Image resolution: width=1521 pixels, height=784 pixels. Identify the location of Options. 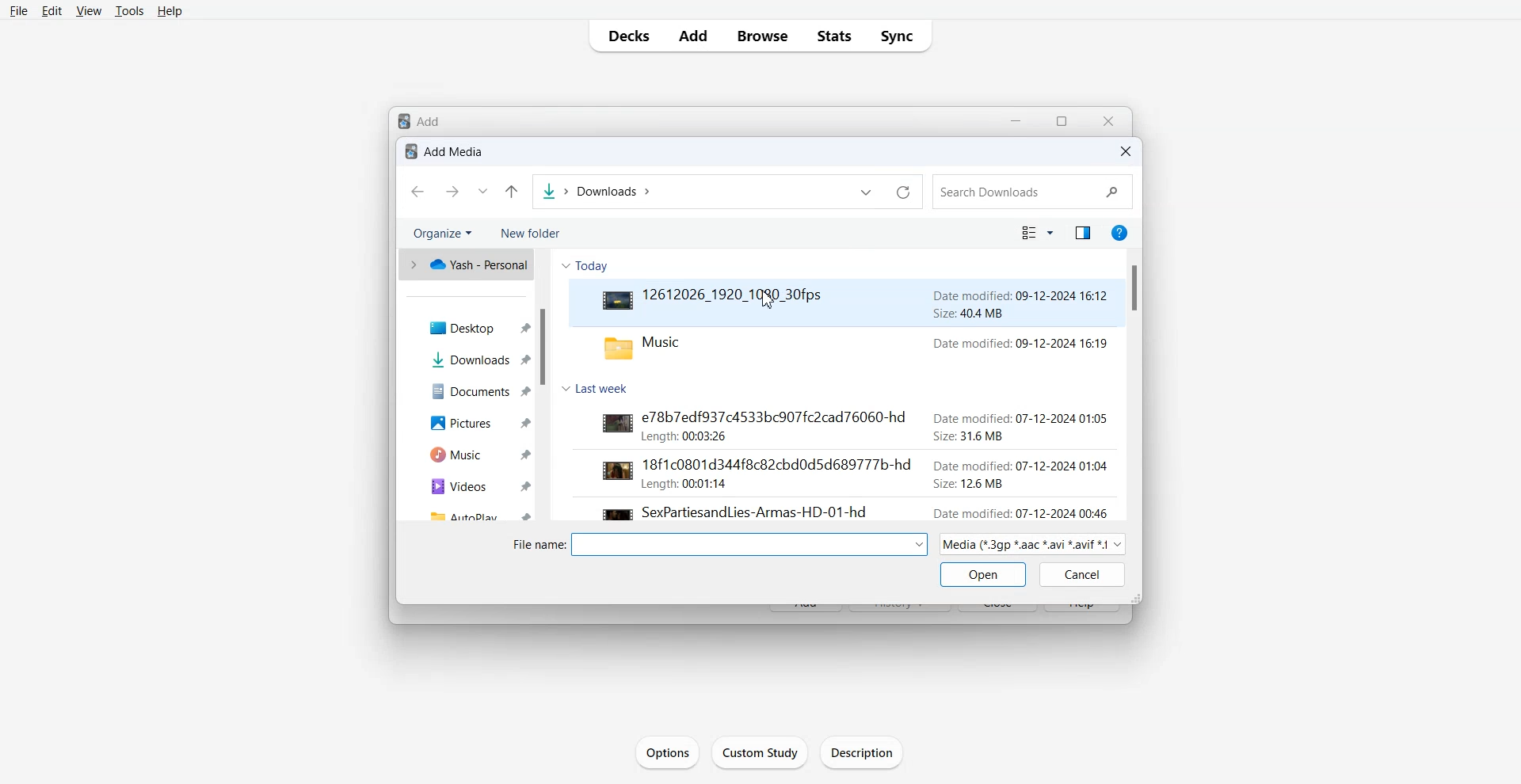
(667, 751).